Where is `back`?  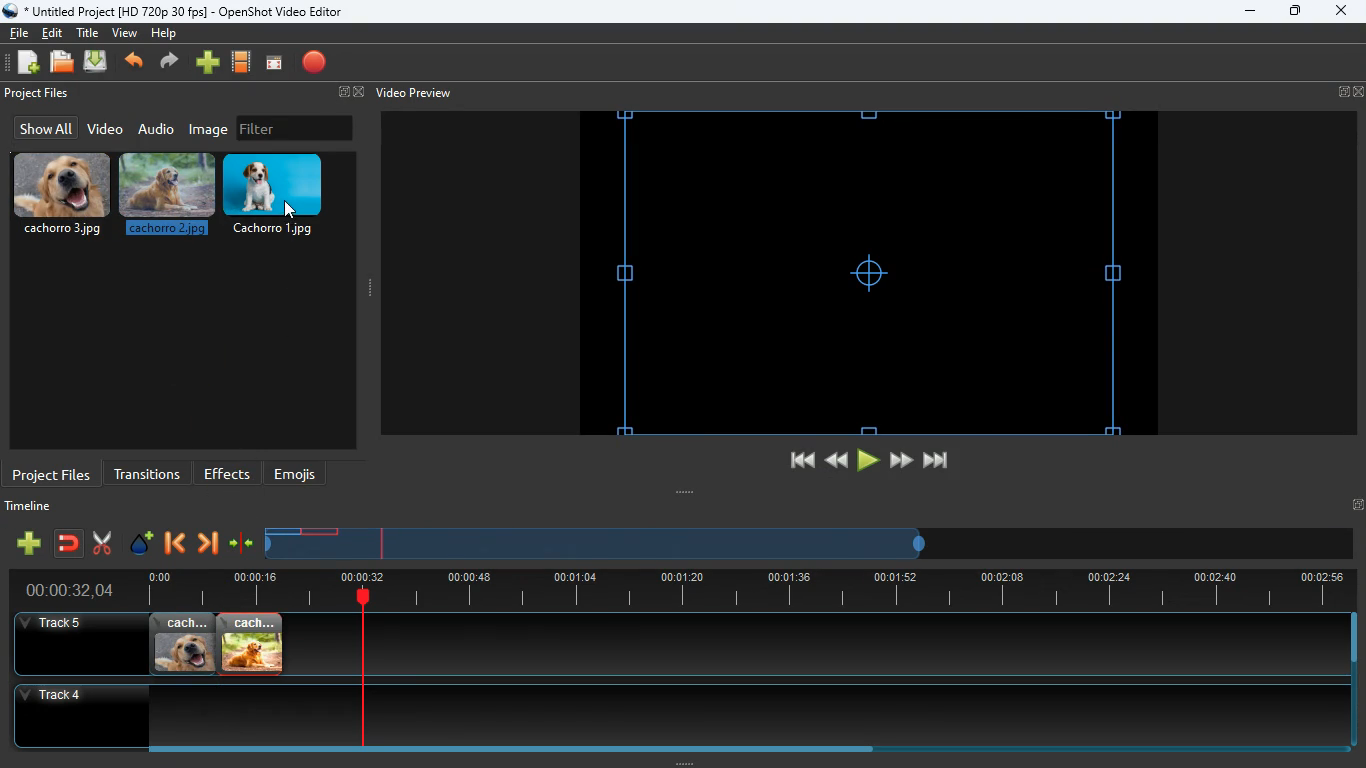
back is located at coordinates (136, 63).